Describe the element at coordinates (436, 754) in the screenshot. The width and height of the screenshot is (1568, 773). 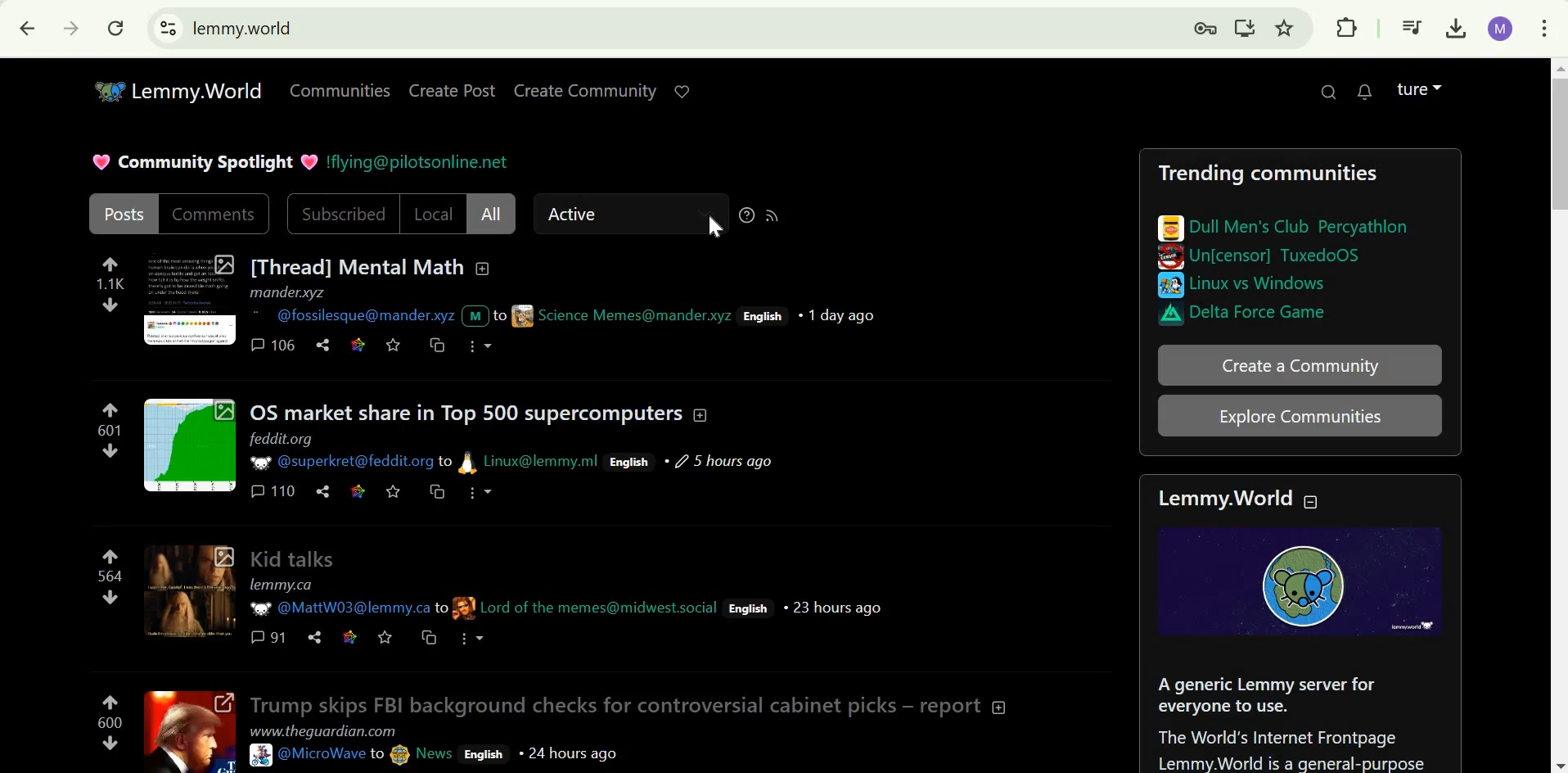
I see `News` at that location.